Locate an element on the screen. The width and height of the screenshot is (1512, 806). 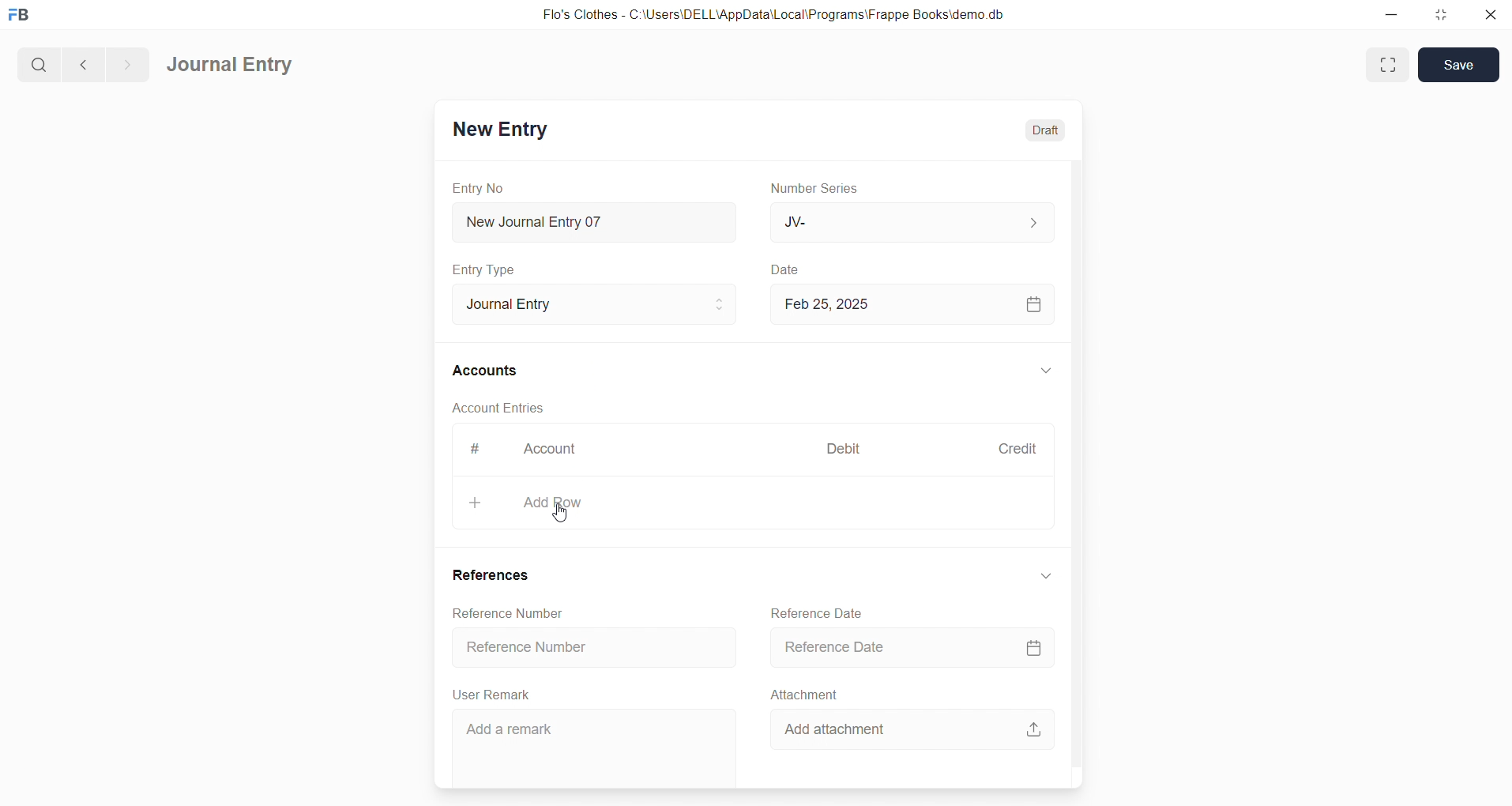
Journal Entry is located at coordinates (589, 304).